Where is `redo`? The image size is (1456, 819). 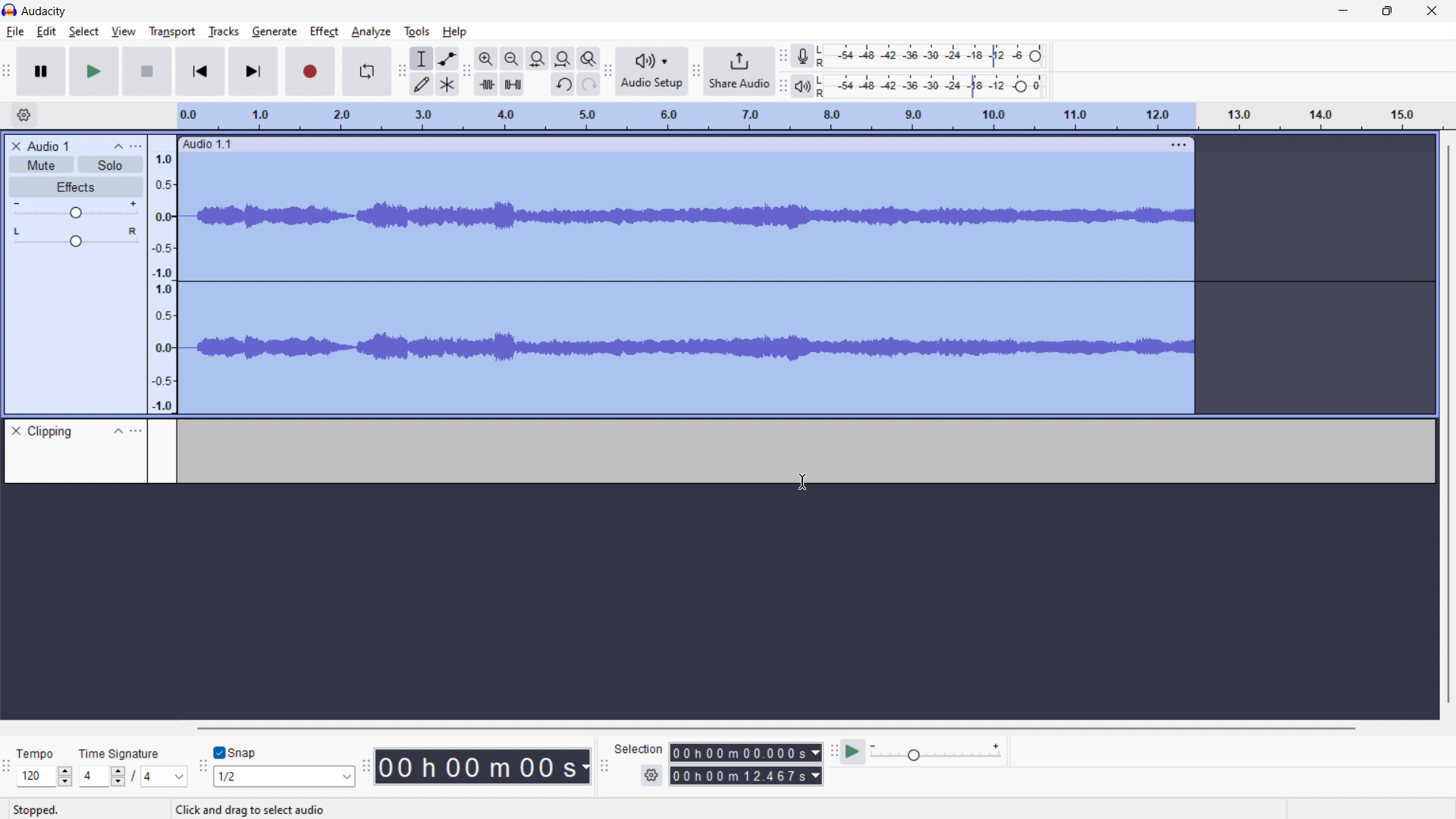
redo is located at coordinates (589, 84).